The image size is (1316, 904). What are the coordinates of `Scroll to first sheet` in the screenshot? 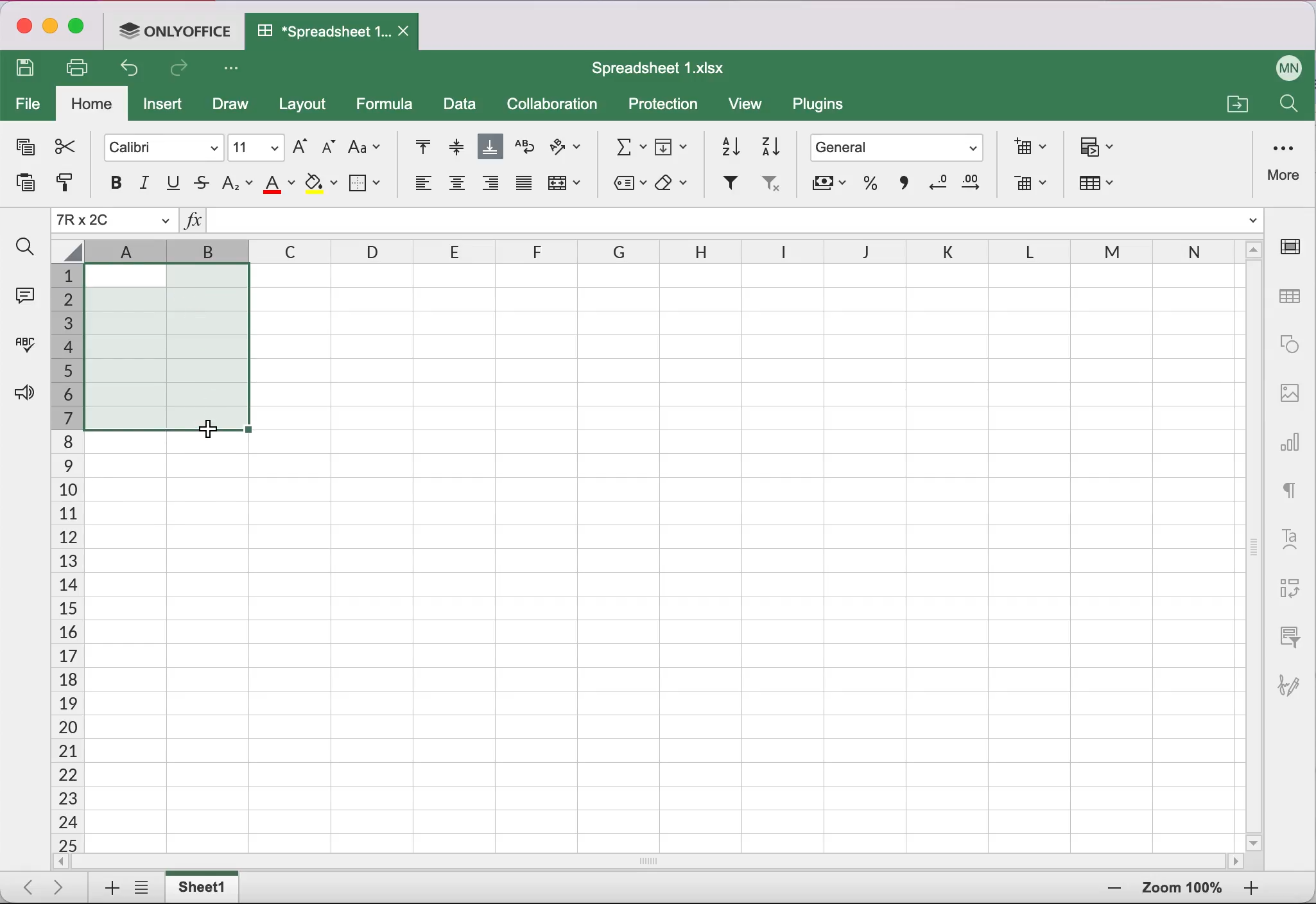 It's located at (24, 883).